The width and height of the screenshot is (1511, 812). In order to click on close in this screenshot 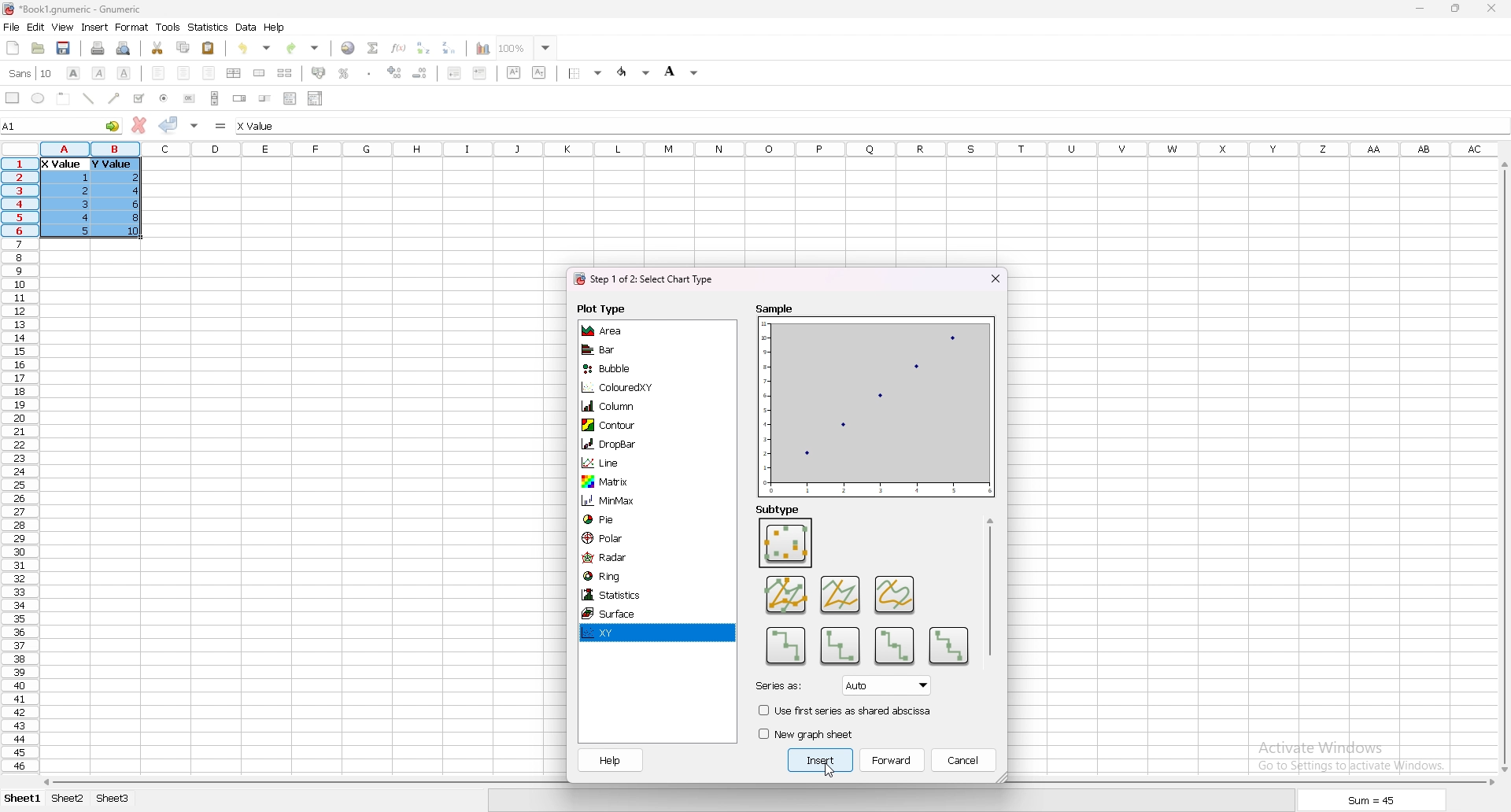, I will do `click(995, 279)`.